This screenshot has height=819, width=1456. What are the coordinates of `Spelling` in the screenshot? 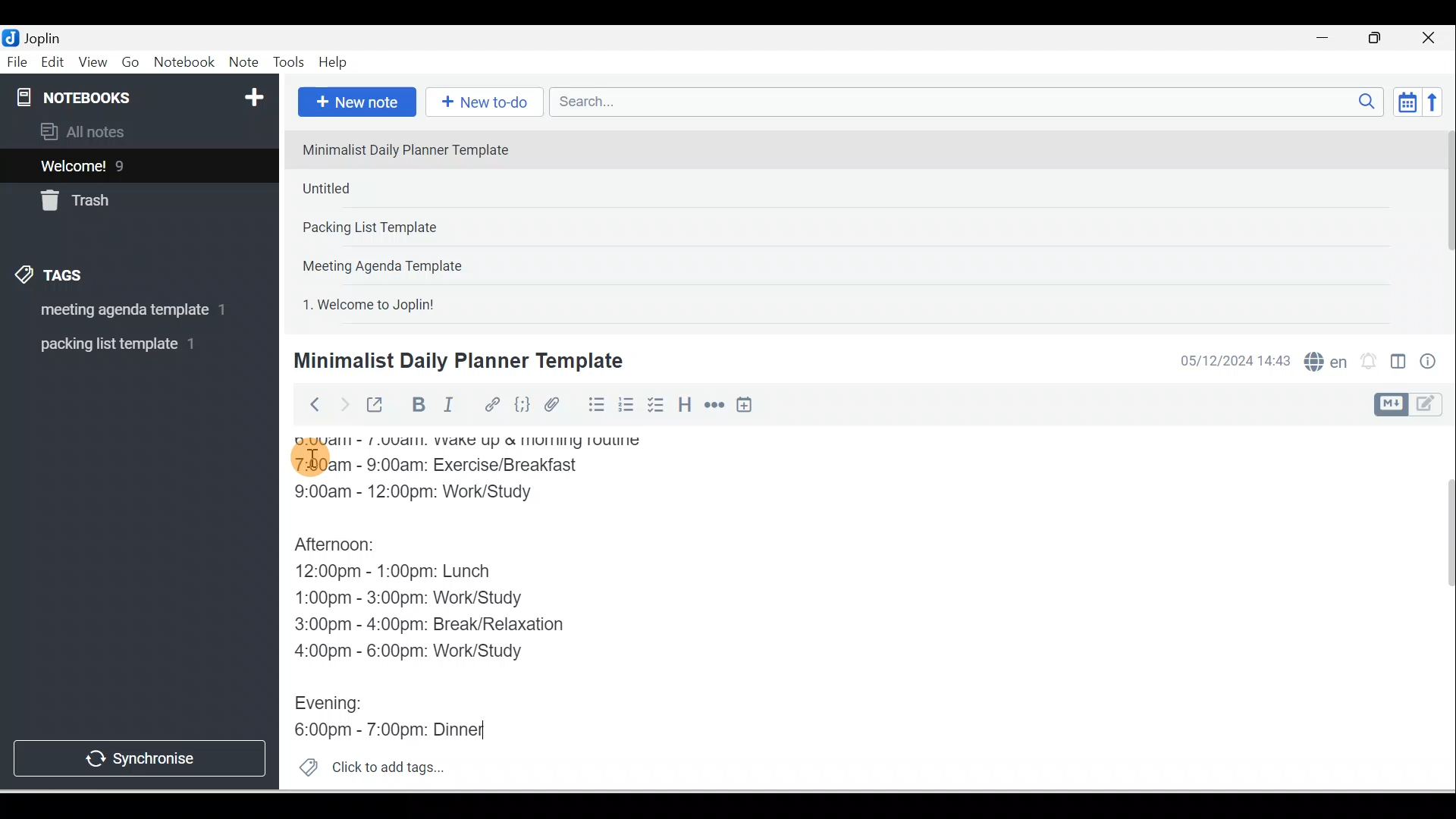 It's located at (1323, 359).